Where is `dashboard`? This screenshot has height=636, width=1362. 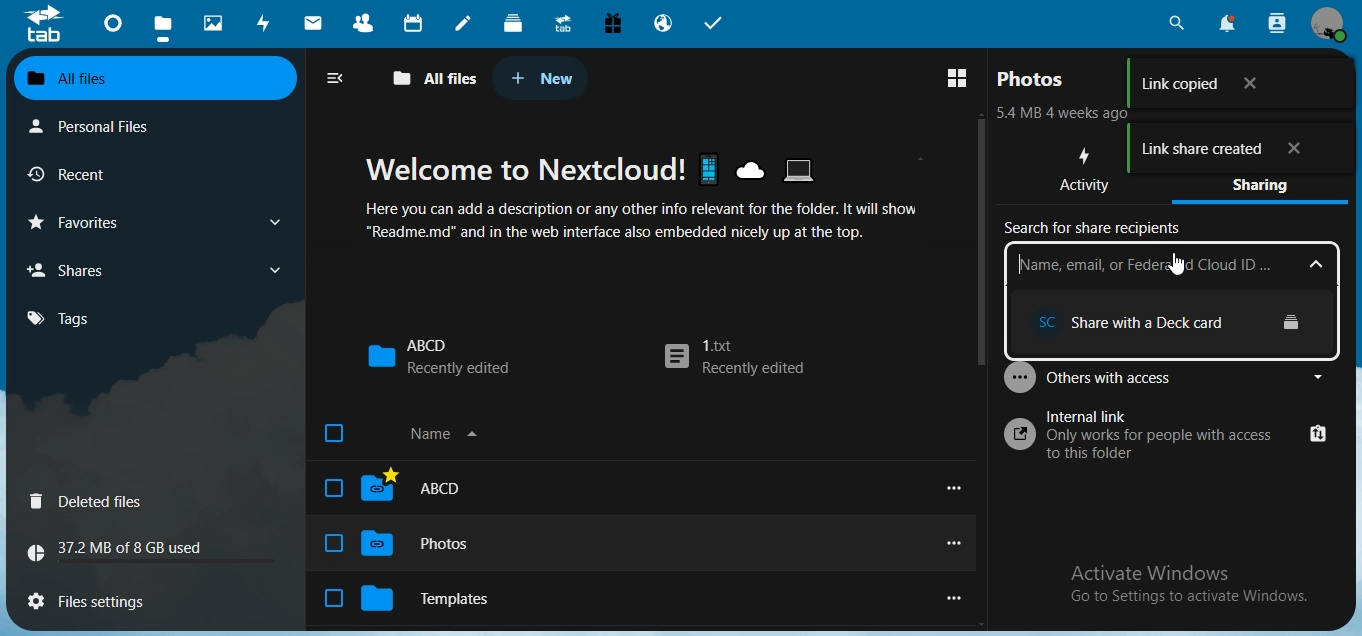
dashboard is located at coordinates (115, 29).